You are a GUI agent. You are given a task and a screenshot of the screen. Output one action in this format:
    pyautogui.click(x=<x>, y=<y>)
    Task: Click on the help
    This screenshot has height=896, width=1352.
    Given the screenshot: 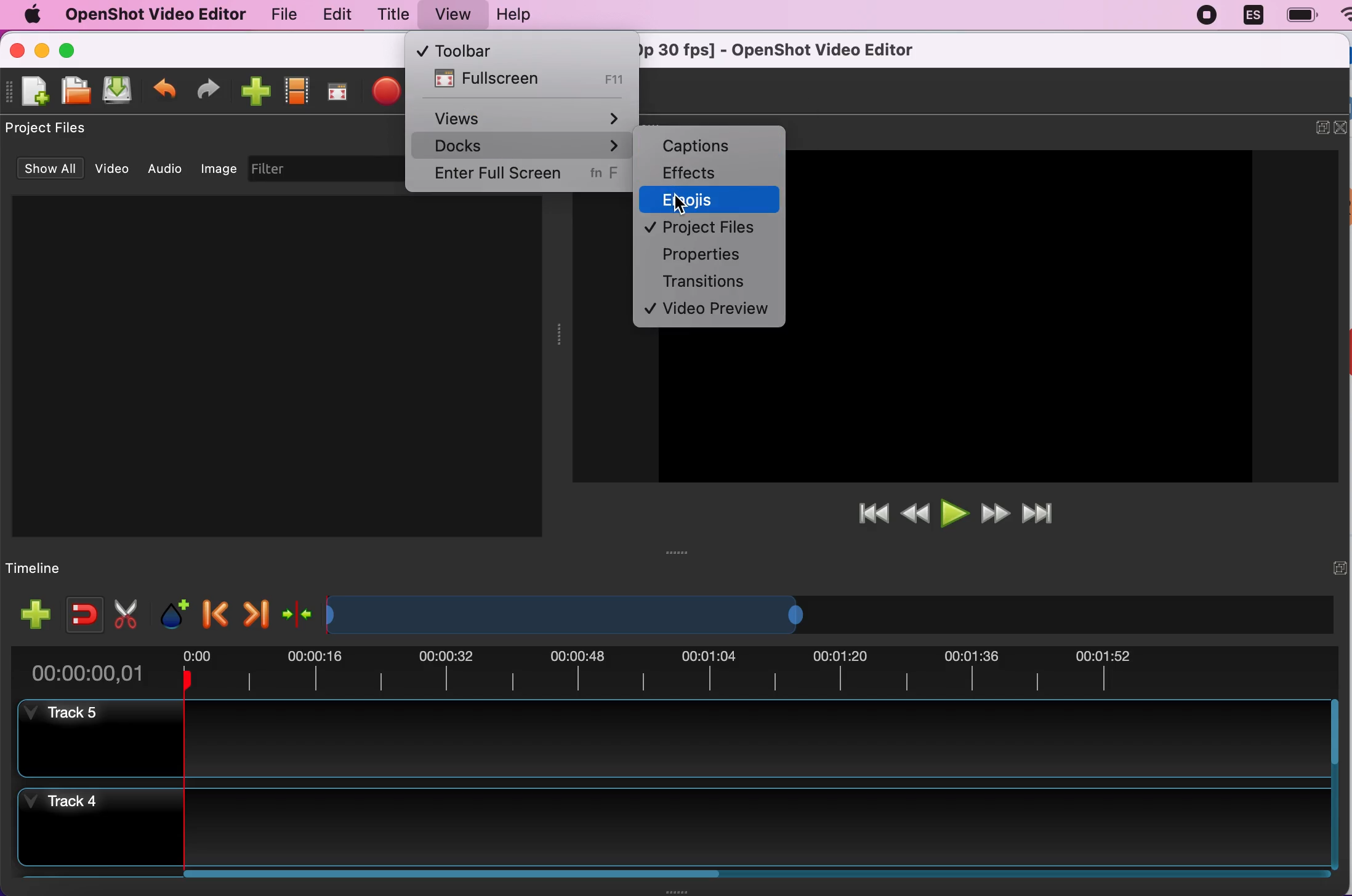 What is the action you would take?
    pyautogui.click(x=521, y=18)
    